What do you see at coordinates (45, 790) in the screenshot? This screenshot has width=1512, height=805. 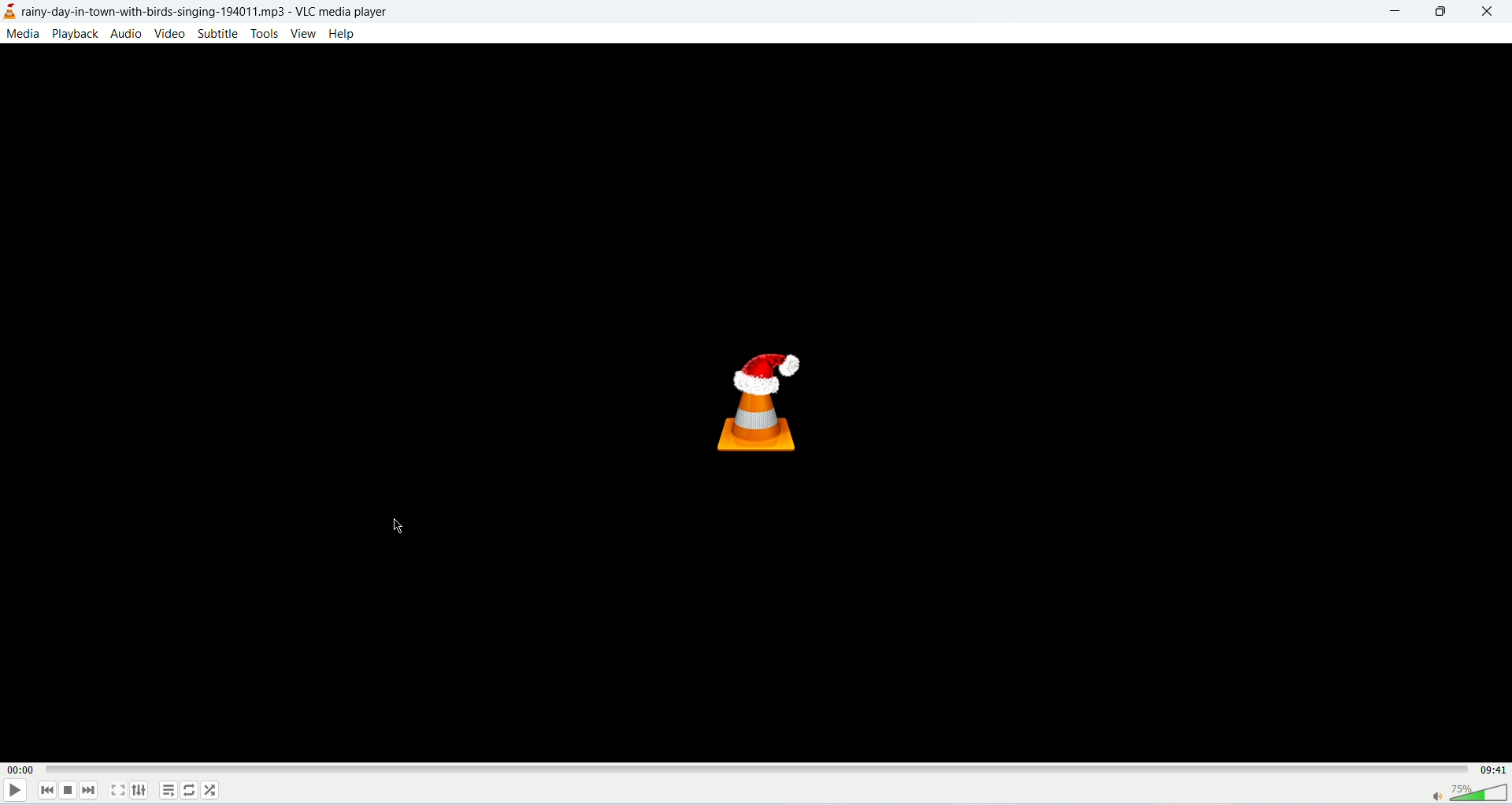 I see `previous` at bounding box center [45, 790].